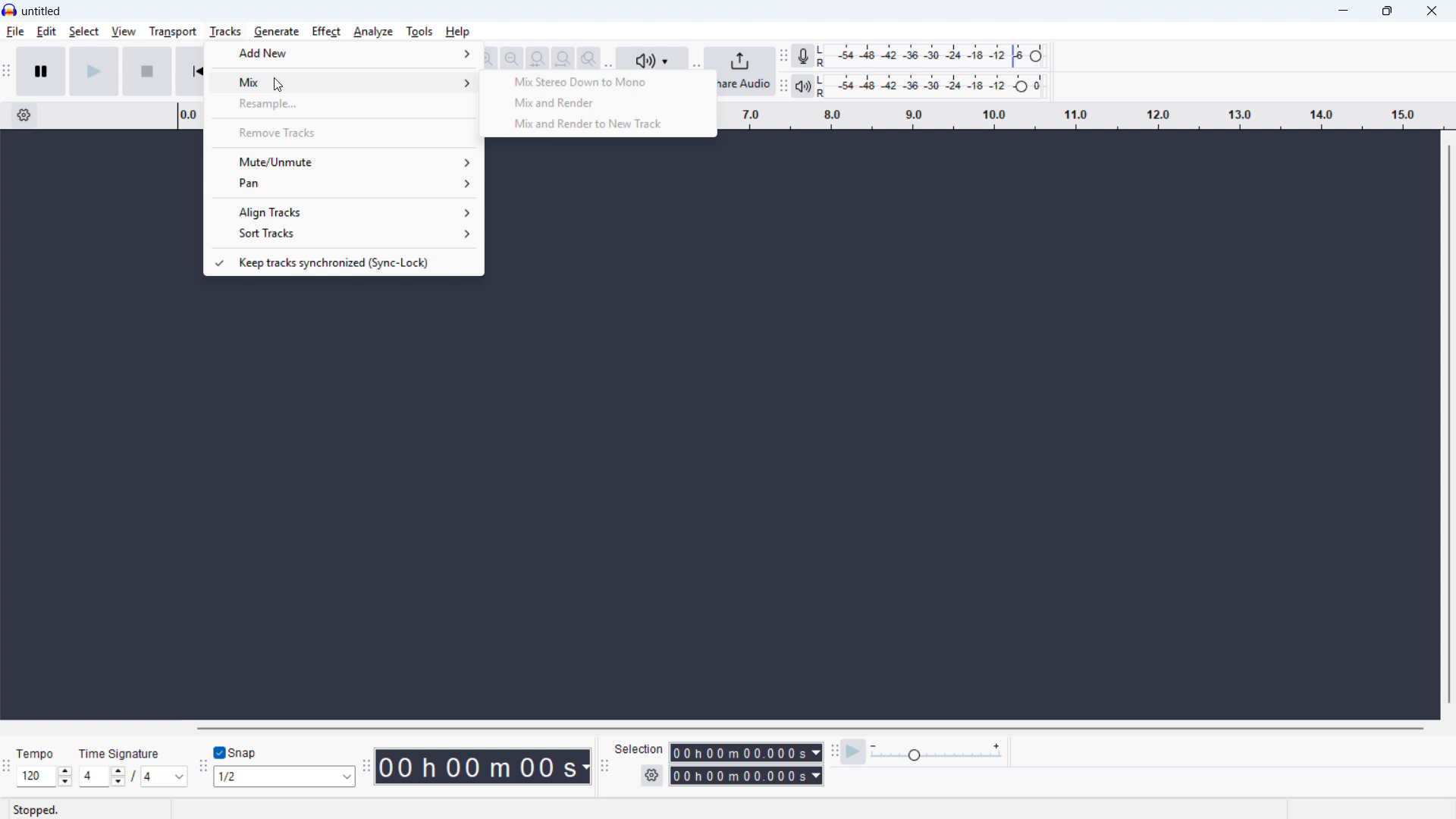 The width and height of the screenshot is (1456, 819). What do you see at coordinates (278, 85) in the screenshot?
I see `cursor` at bounding box center [278, 85].